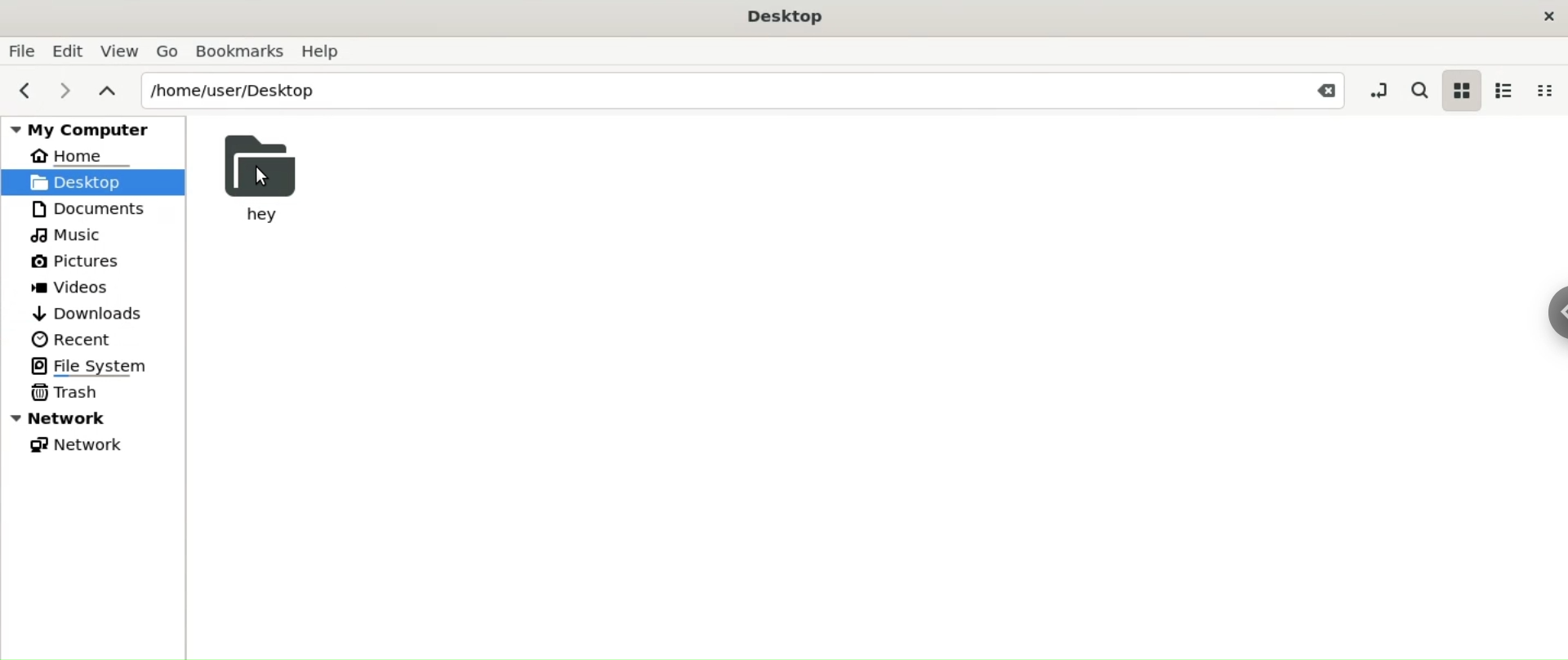 The width and height of the screenshot is (1568, 660). What do you see at coordinates (64, 94) in the screenshot?
I see `next` at bounding box center [64, 94].